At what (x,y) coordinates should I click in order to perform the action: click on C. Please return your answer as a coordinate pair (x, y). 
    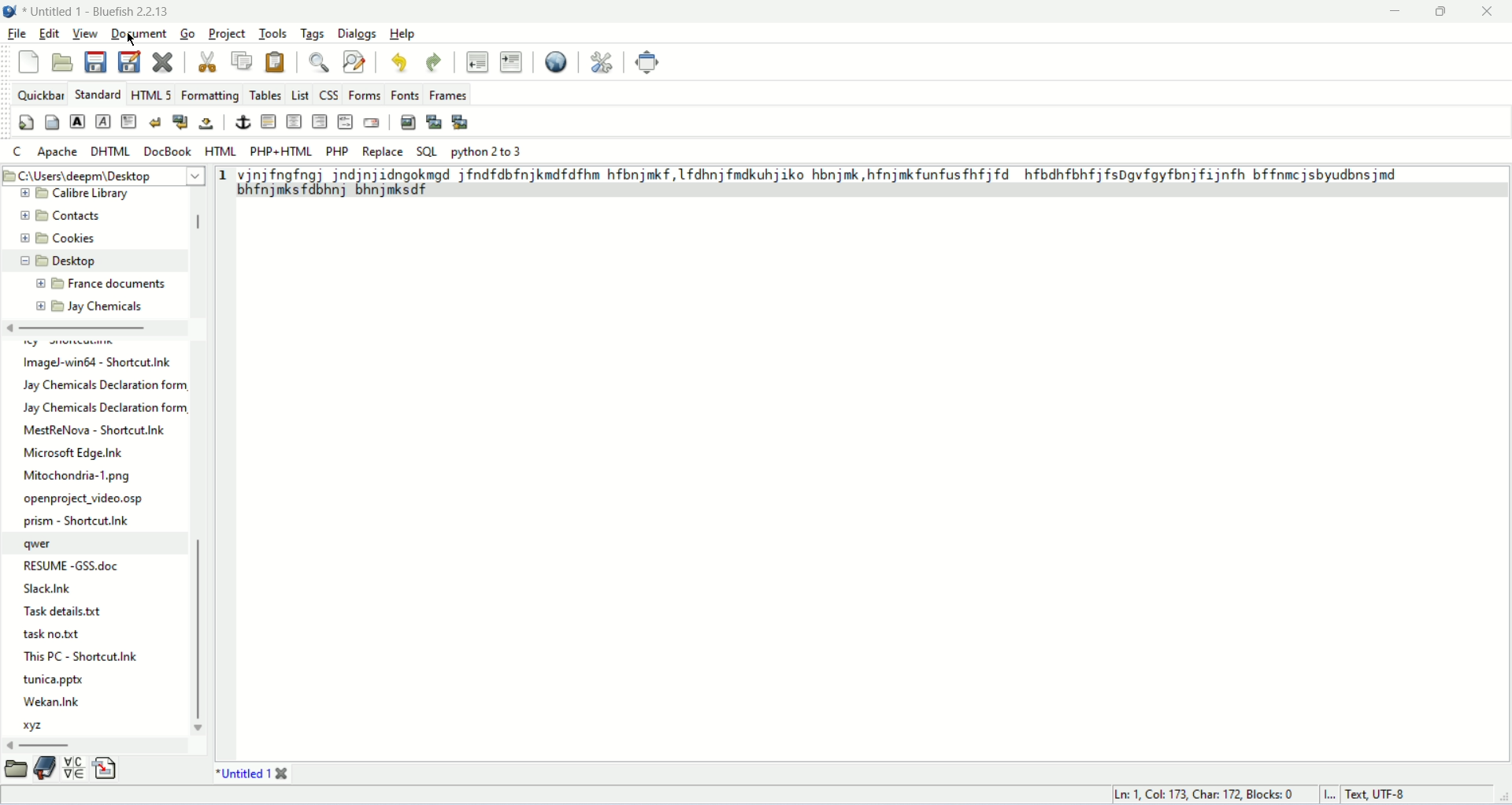
    Looking at the image, I should click on (18, 150).